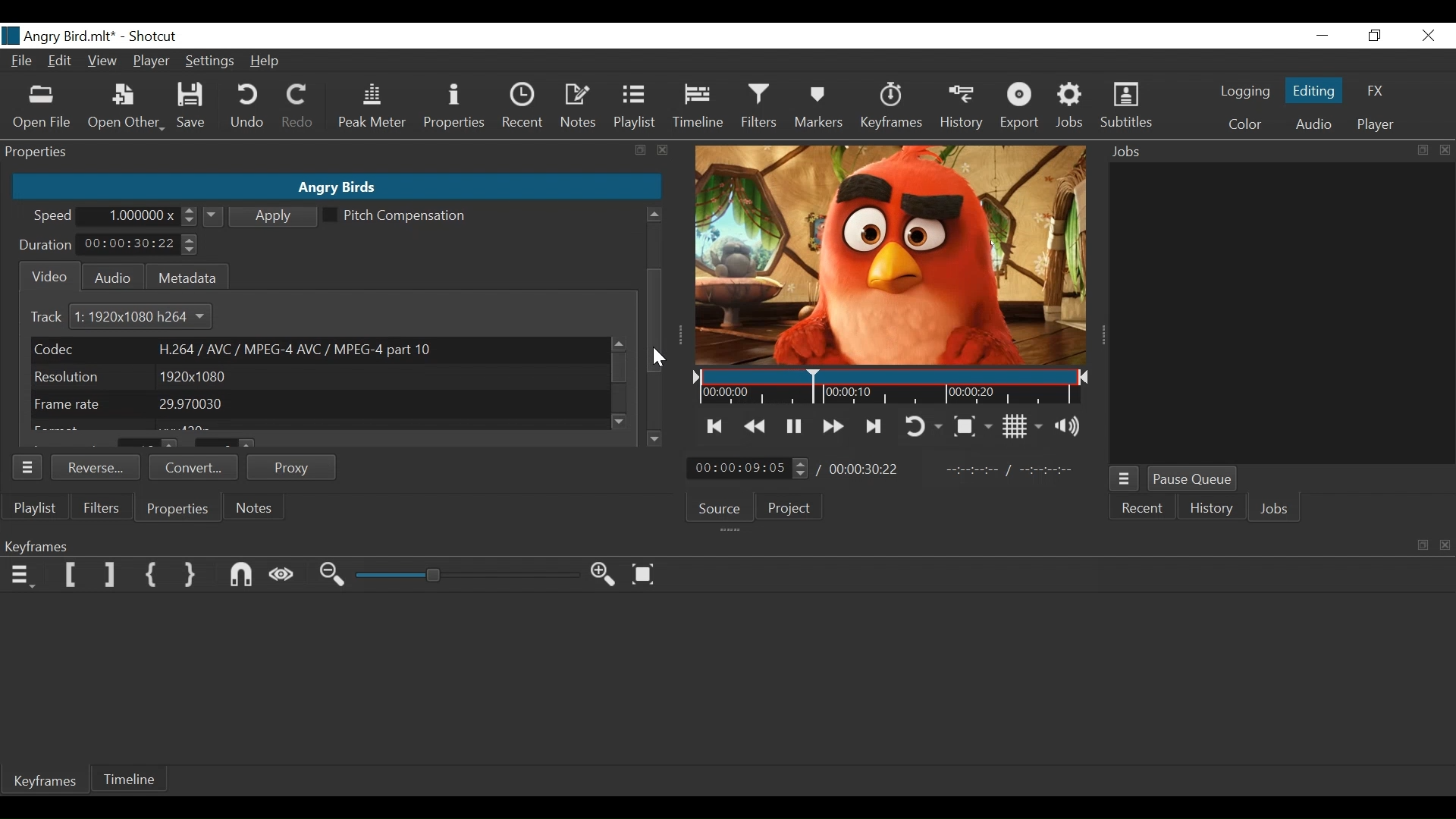 This screenshot has height=819, width=1456. What do you see at coordinates (208, 63) in the screenshot?
I see `Settings` at bounding box center [208, 63].